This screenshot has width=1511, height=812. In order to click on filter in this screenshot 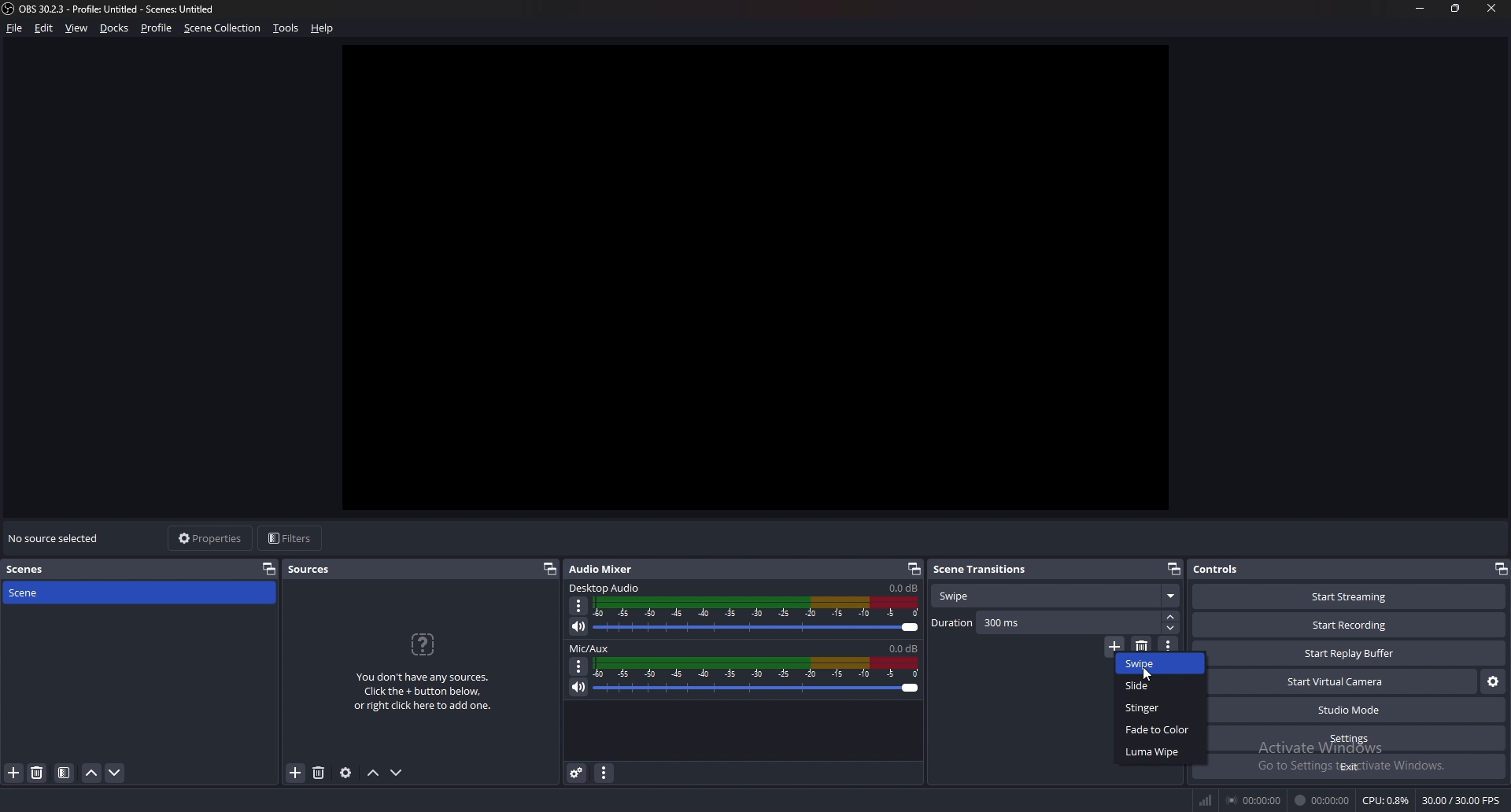, I will do `click(64, 773)`.